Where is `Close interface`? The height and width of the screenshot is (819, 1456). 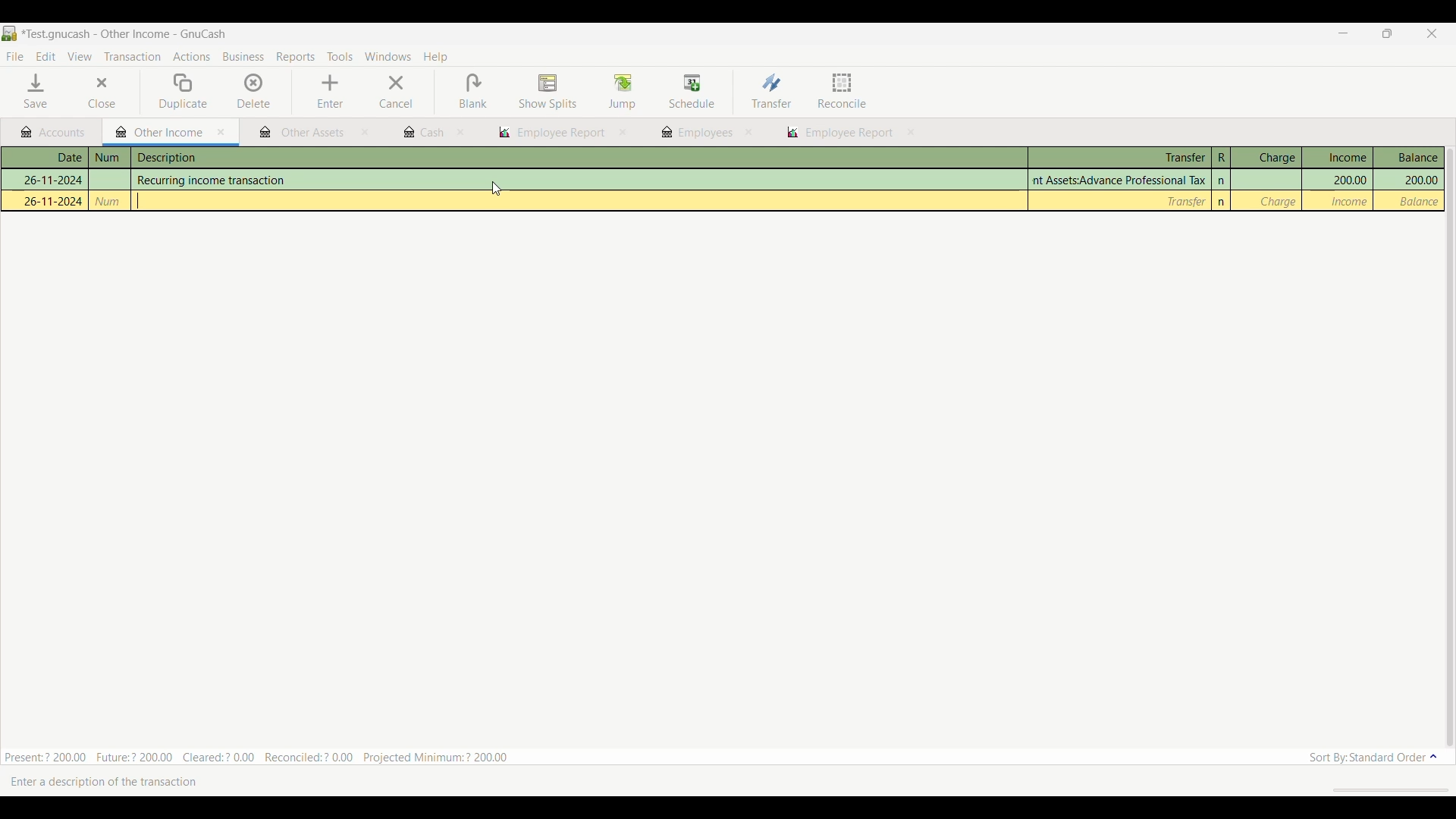 Close interface is located at coordinates (1429, 35).